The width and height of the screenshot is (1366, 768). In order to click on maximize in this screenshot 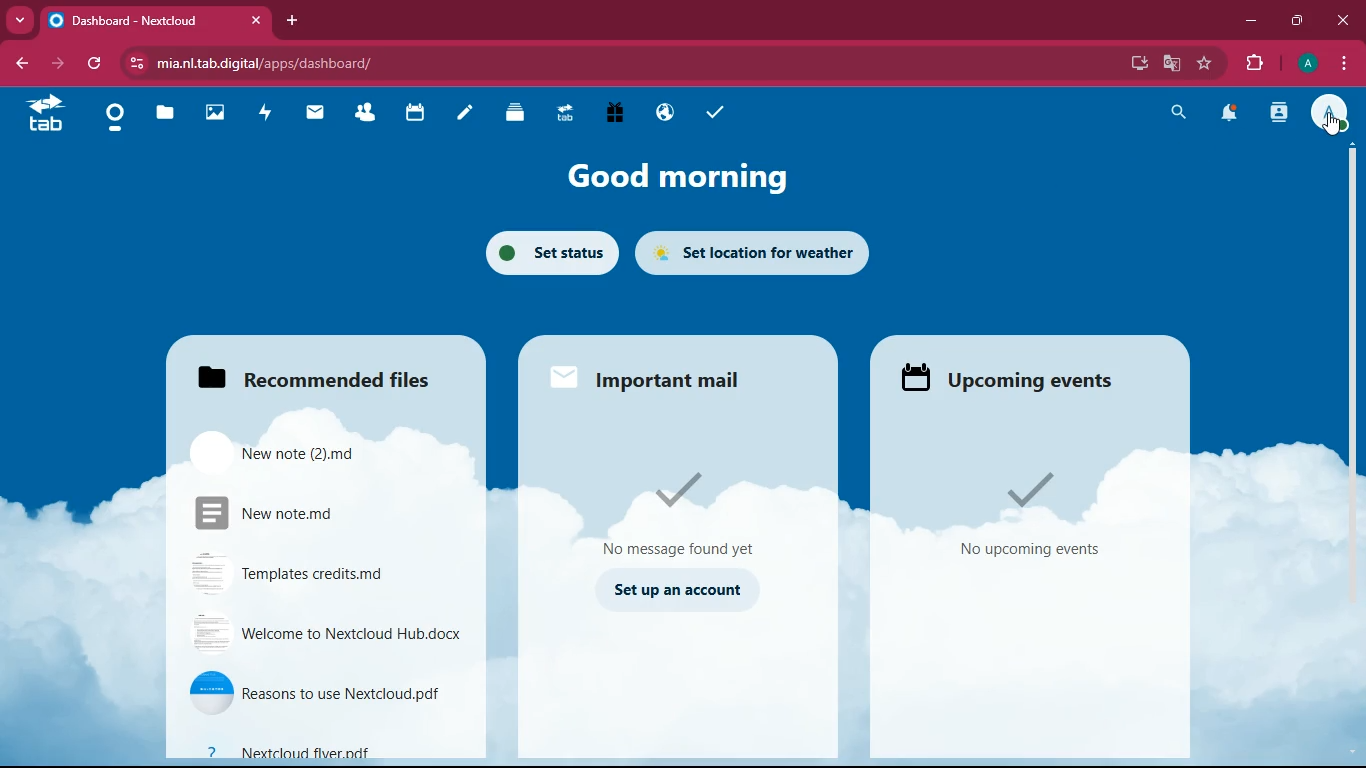, I will do `click(1299, 20)`.